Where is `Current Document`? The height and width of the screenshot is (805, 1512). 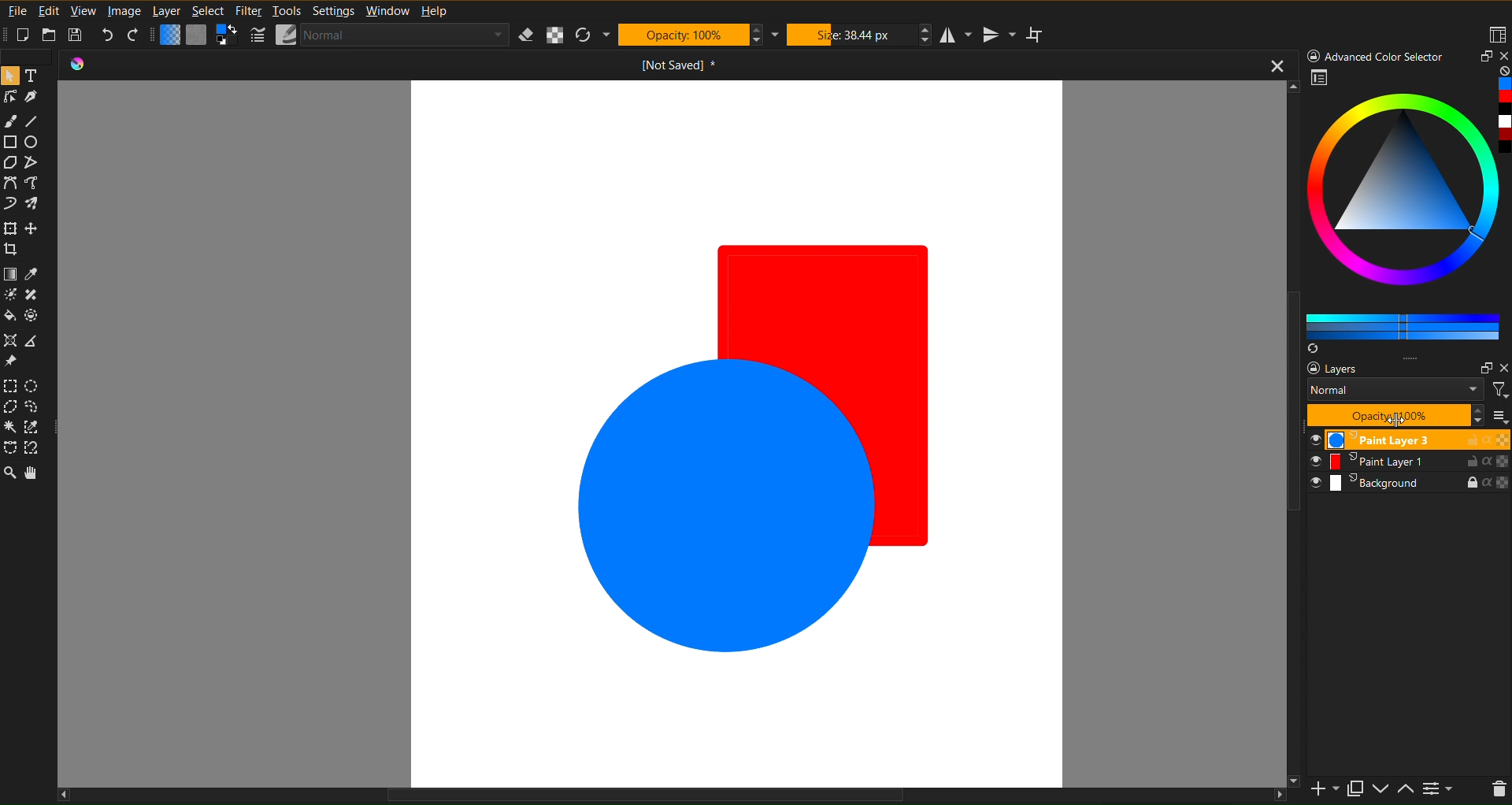
Current Document is located at coordinates (643, 67).